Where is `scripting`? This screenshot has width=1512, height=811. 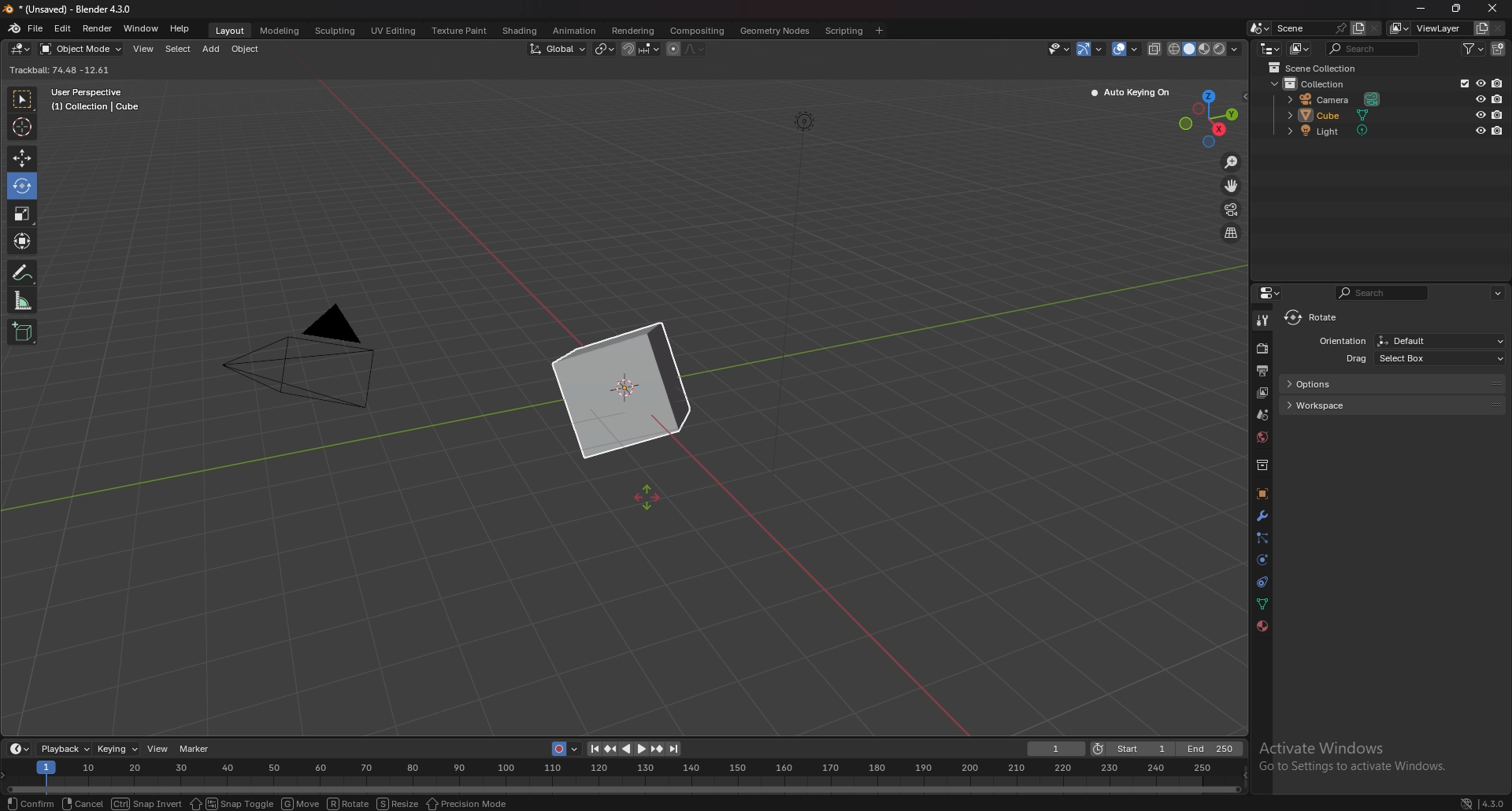 scripting is located at coordinates (844, 30).